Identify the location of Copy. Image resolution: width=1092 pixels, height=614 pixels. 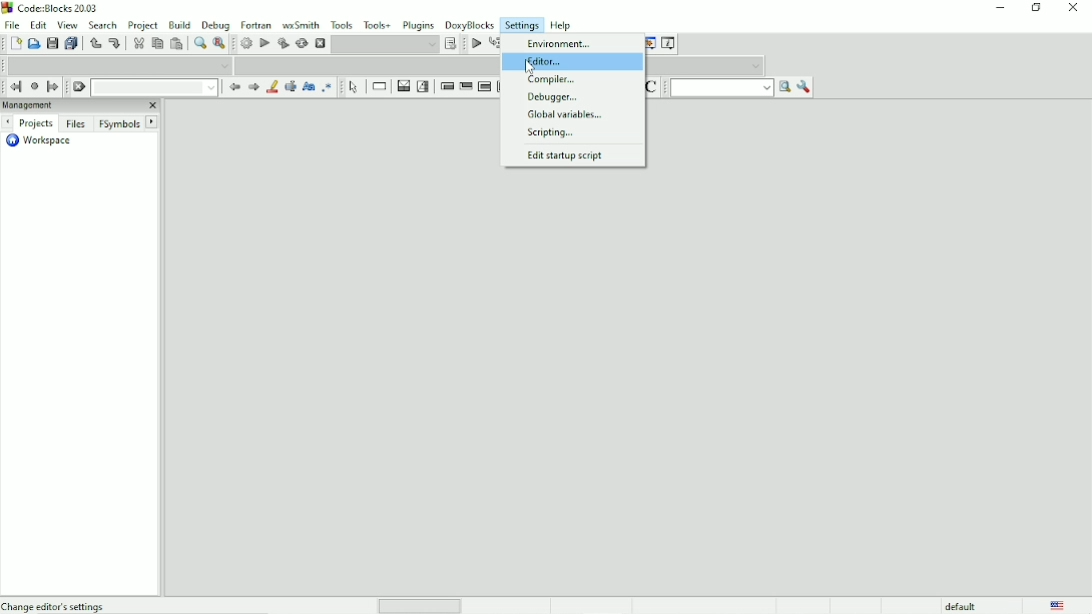
(156, 43).